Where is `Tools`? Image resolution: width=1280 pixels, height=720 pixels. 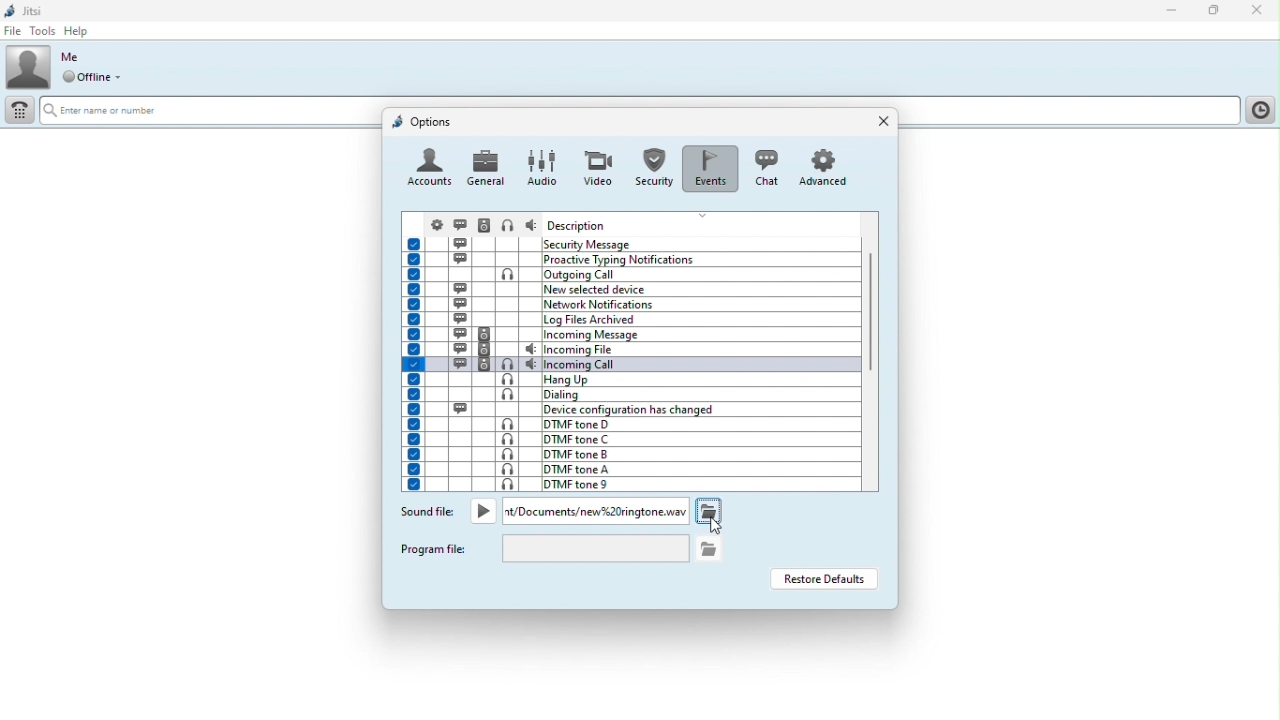 Tools is located at coordinates (42, 31).